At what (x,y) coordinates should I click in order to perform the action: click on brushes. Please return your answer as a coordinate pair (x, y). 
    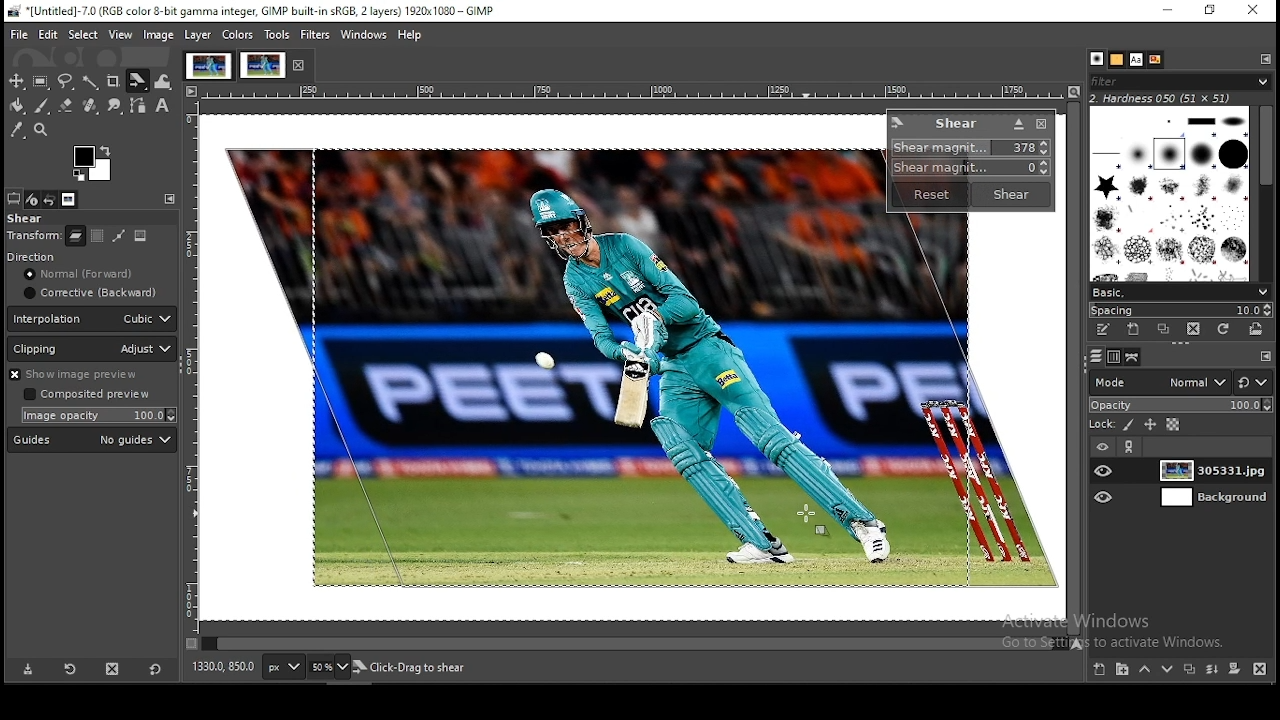
    Looking at the image, I should click on (1116, 60).